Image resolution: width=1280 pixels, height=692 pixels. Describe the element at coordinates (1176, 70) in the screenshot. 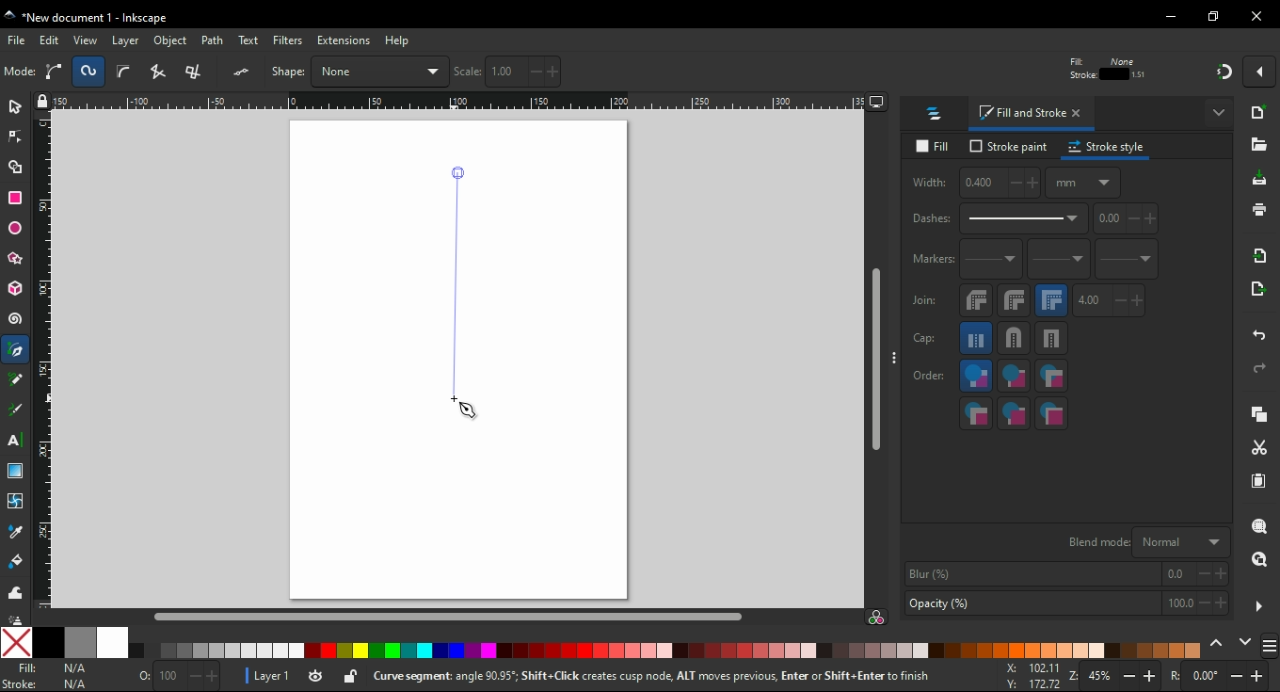

I see `move pattern along wit the objects` at that location.